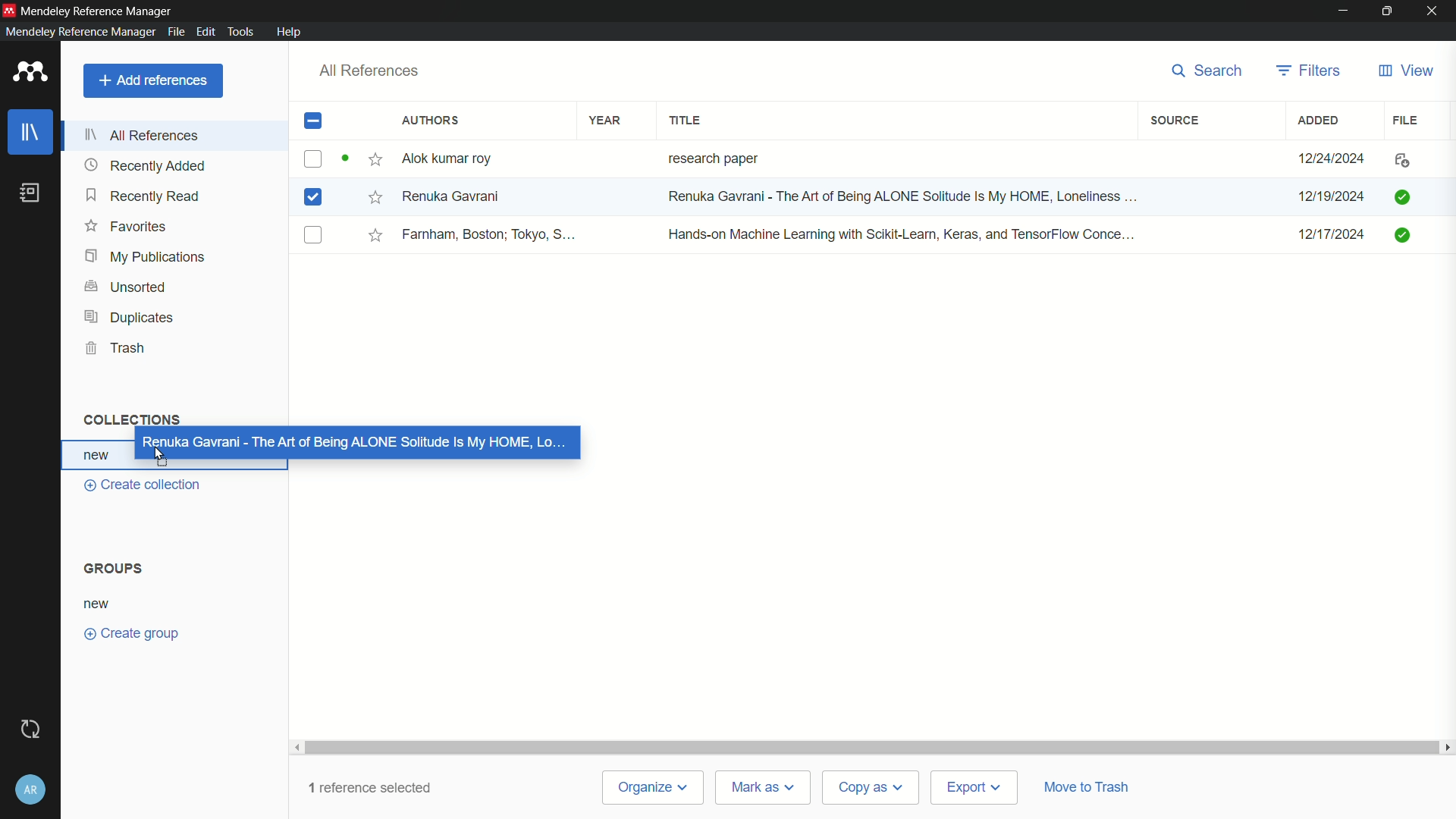 The width and height of the screenshot is (1456, 819). I want to click on 12/17/2024, so click(1323, 234).